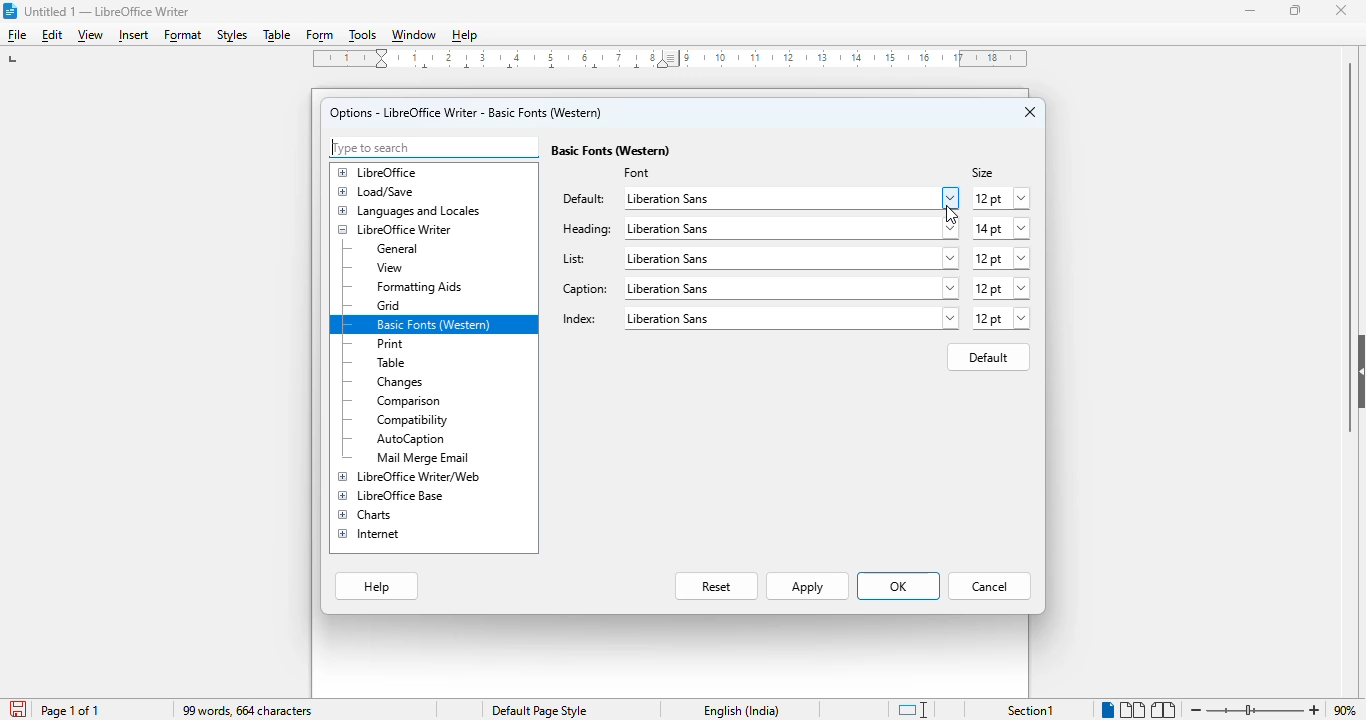 The image size is (1366, 720). Describe the element at coordinates (52, 35) in the screenshot. I see `edit` at that location.